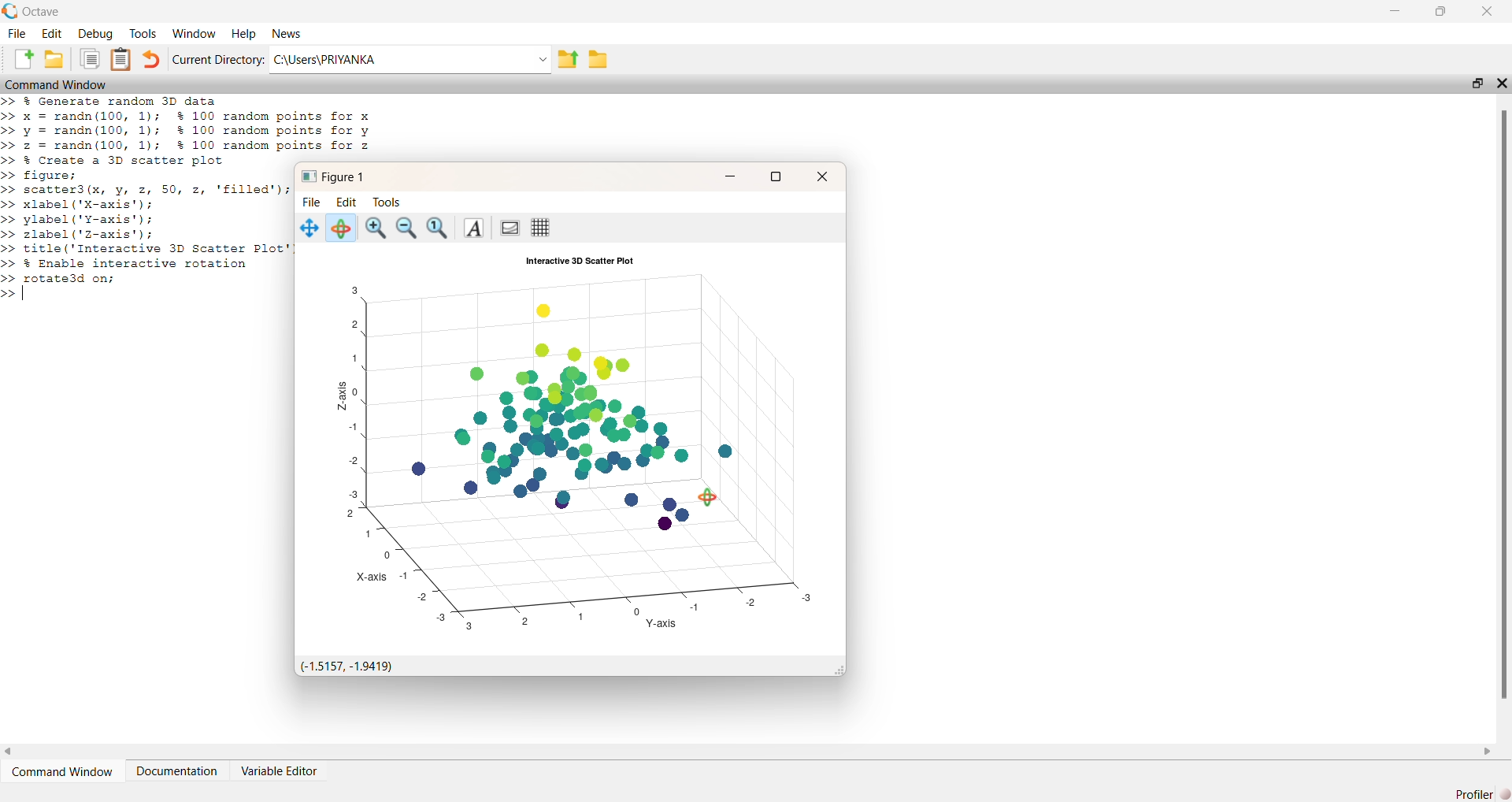  What do you see at coordinates (408, 229) in the screenshot?
I see `zoom out` at bounding box center [408, 229].